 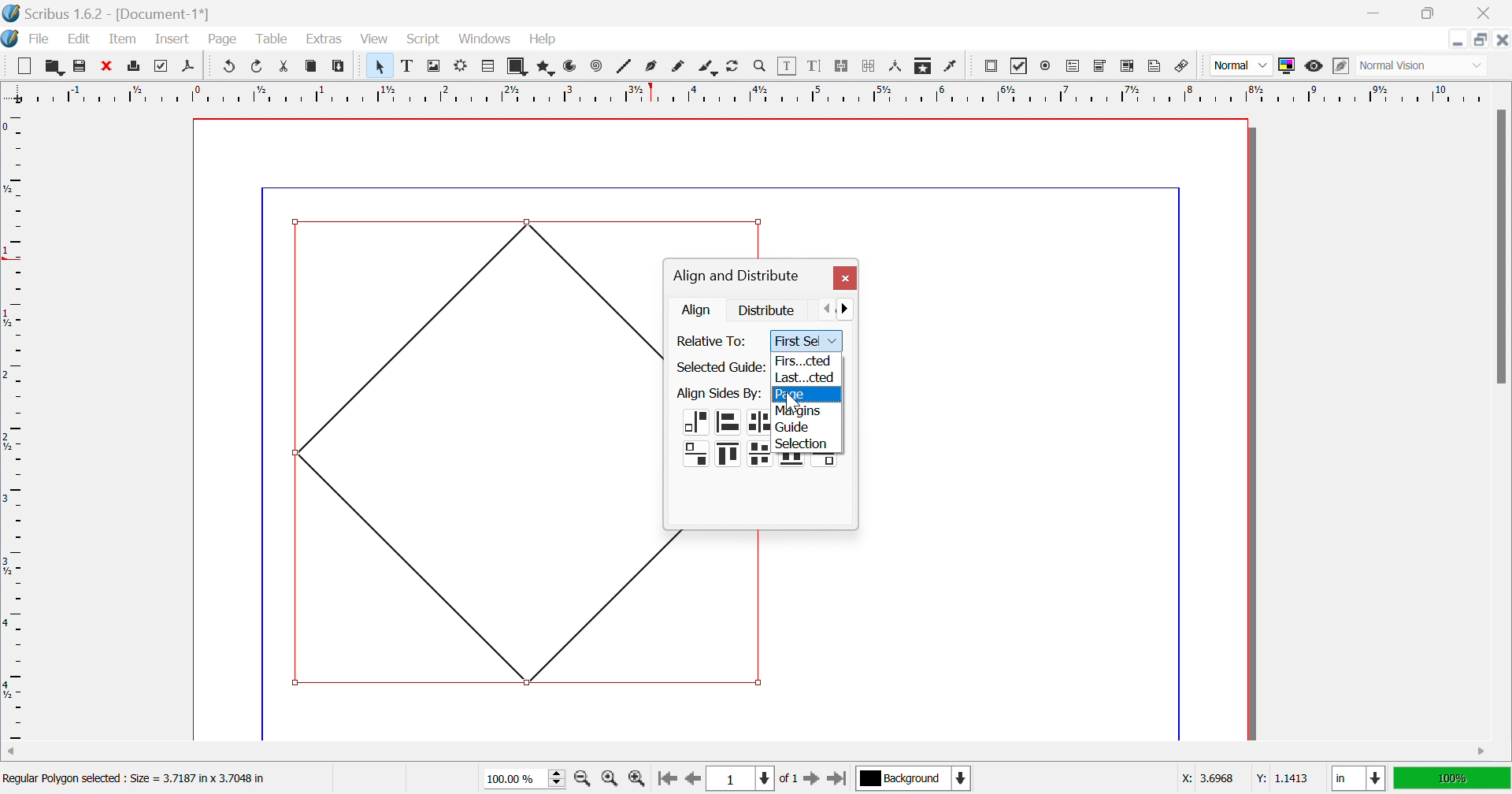 What do you see at coordinates (612, 781) in the screenshot?
I see `Zoom to 100%` at bounding box center [612, 781].